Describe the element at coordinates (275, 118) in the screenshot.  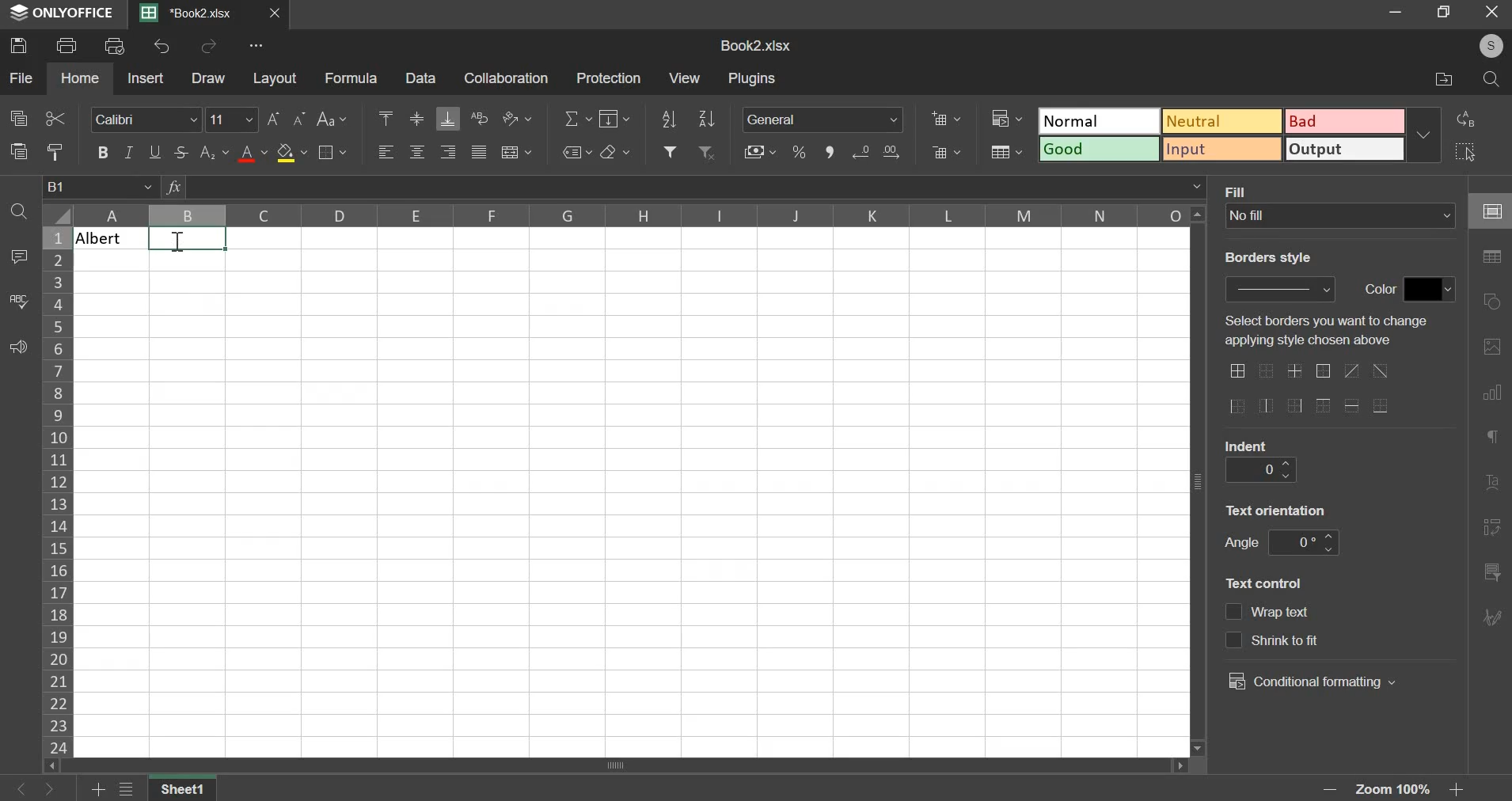
I see `font size increase` at that location.